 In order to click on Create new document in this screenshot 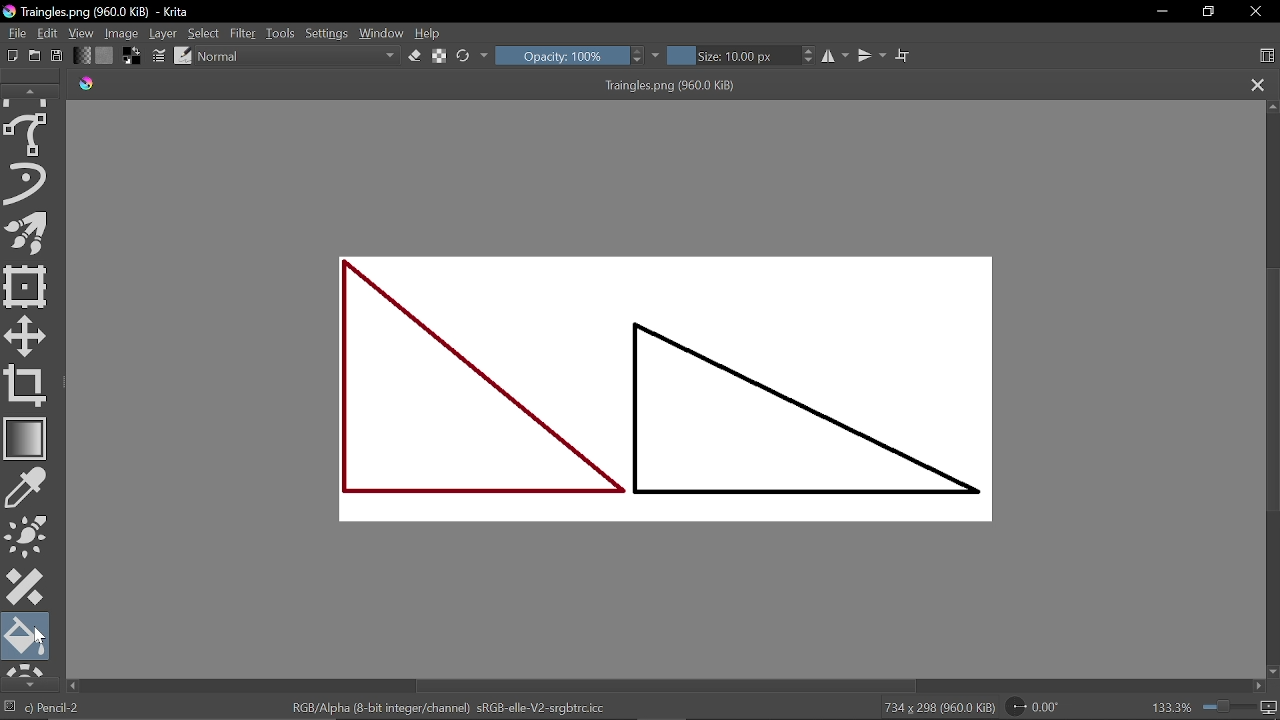, I will do `click(10, 56)`.